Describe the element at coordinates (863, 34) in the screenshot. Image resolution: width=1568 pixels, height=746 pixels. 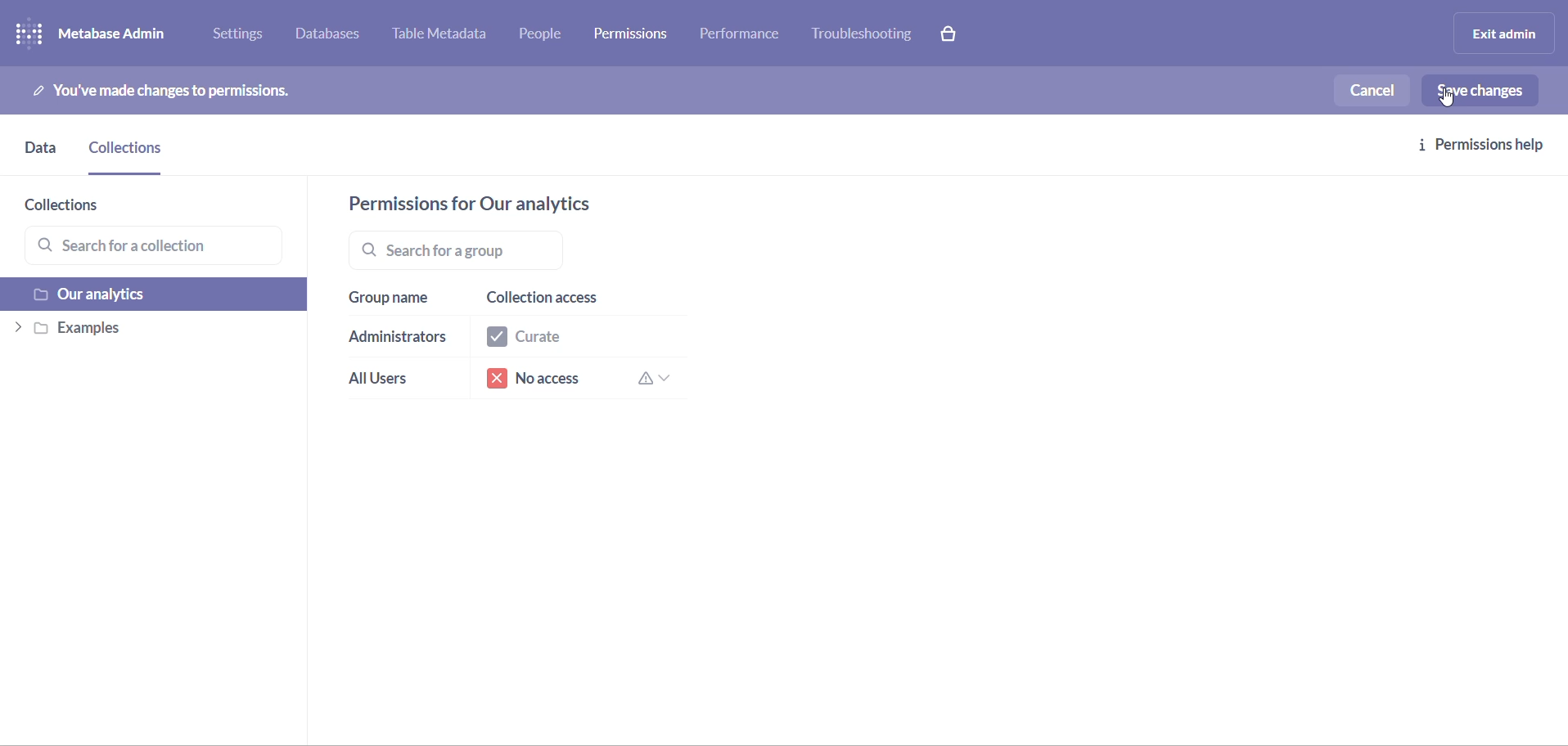
I see `troubleshooting` at that location.